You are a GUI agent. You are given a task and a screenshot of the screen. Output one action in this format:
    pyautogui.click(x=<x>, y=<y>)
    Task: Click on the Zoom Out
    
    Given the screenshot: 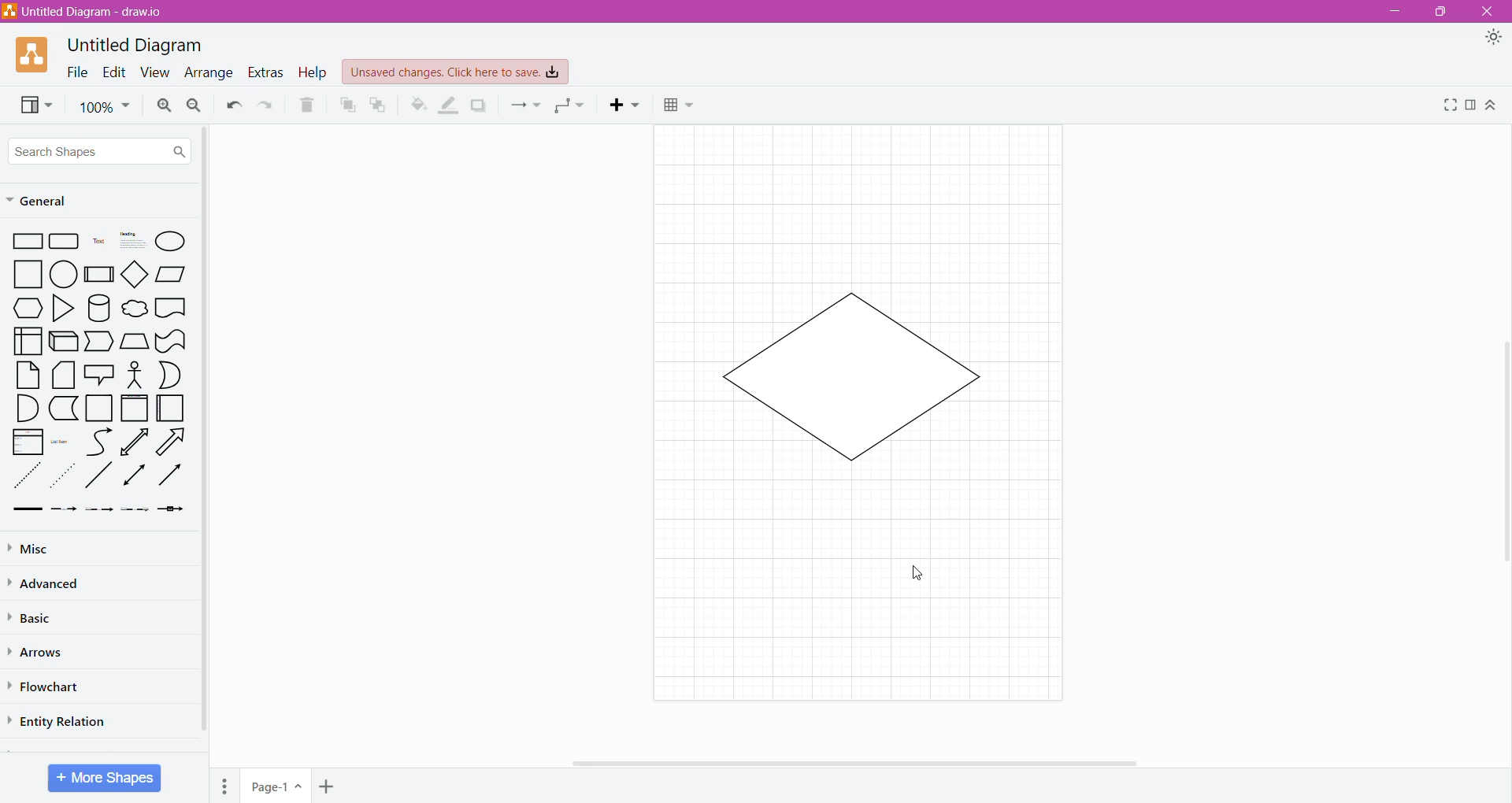 What is the action you would take?
    pyautogui.click(x=195, y=105)
    